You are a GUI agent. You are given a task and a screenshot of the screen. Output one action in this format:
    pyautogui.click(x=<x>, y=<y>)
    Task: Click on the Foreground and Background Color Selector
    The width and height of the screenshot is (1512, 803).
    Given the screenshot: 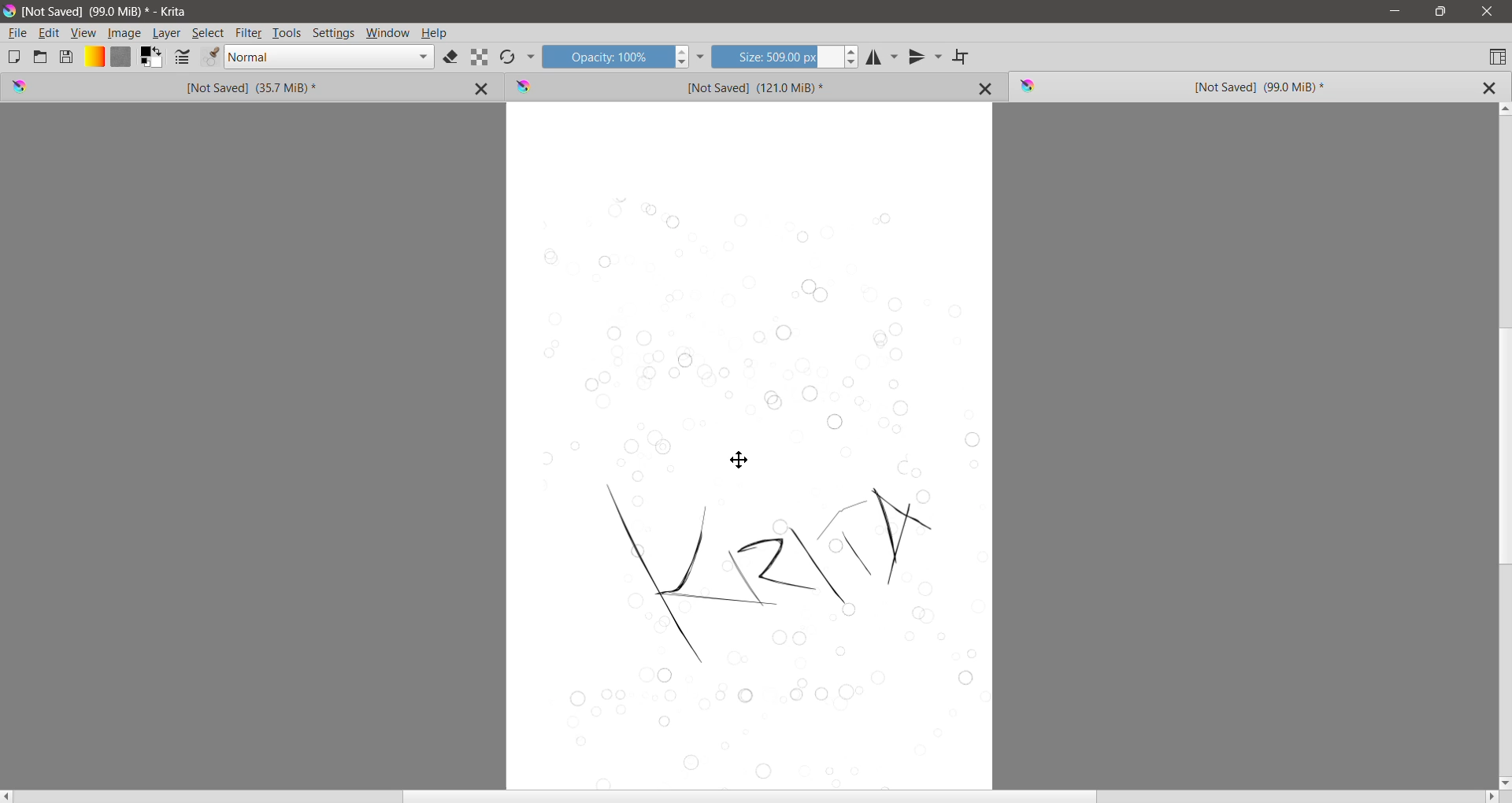 What is the action you would take?
    pyautogui.click(x=152, y=57)
    